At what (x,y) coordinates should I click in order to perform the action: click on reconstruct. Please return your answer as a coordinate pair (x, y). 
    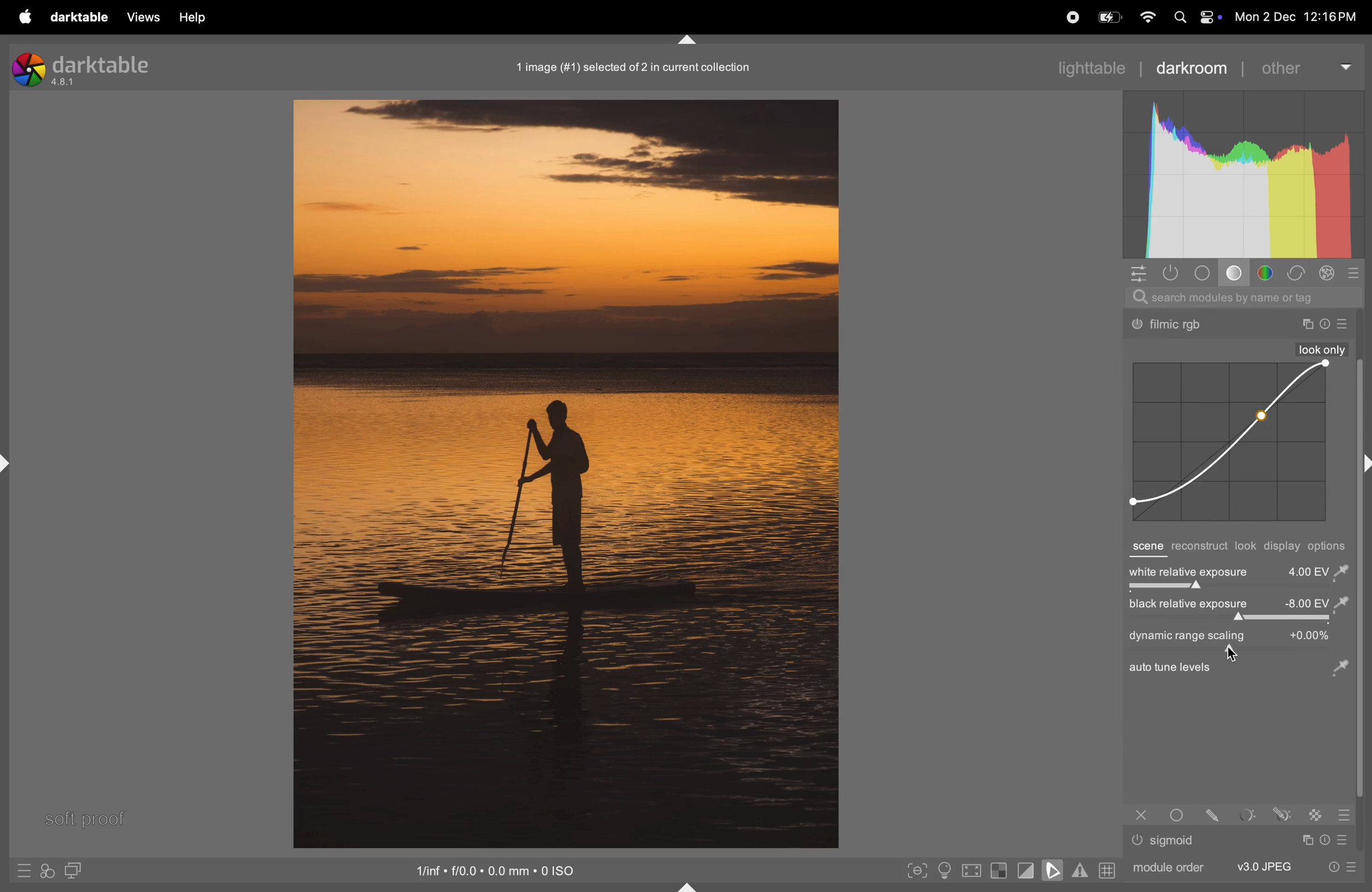
    Looking at the image, I should click on (1199, 547).